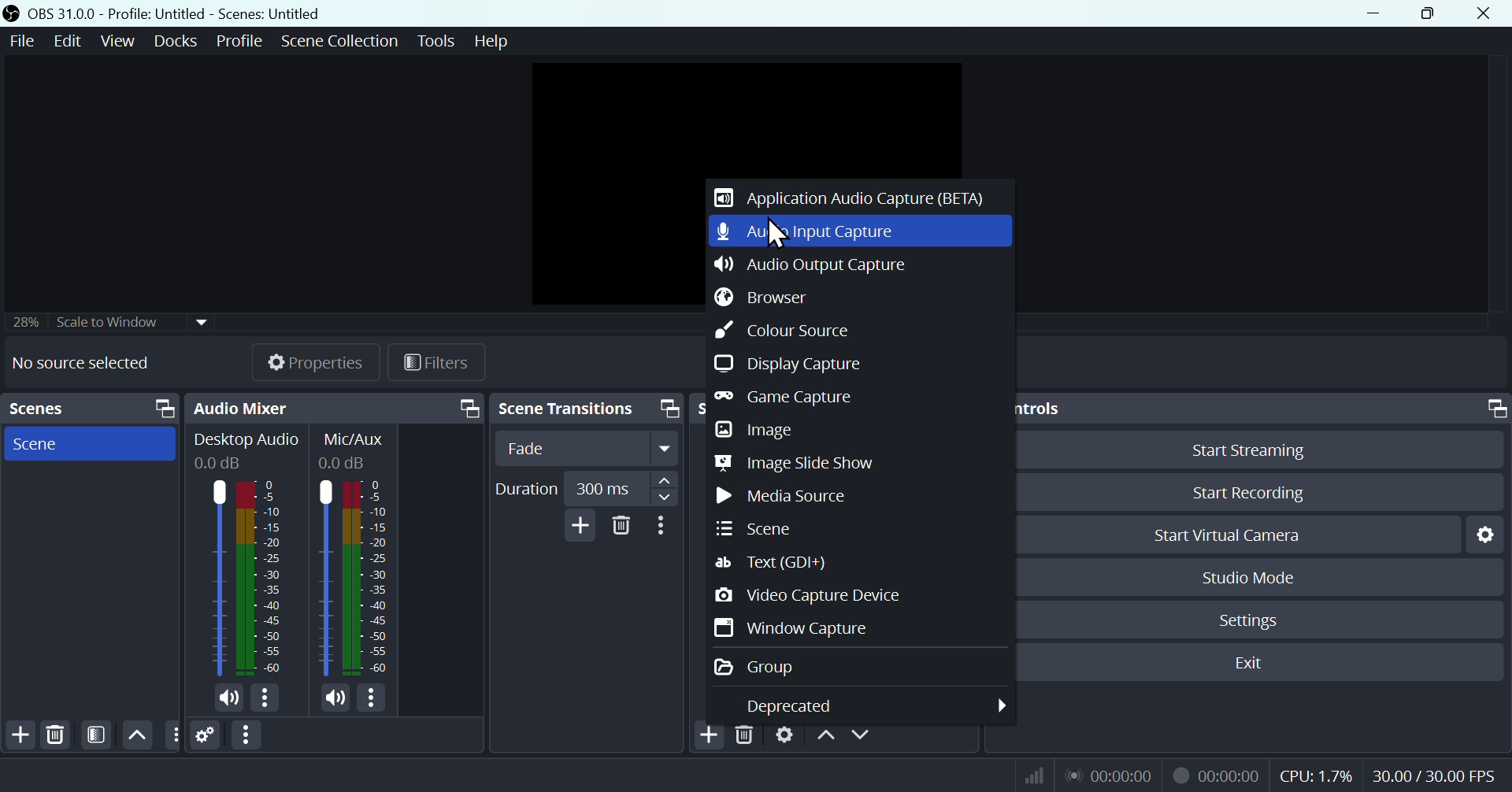 This screenshot has width=1512, height=792. I want to click on Image slide show, so click(807, 463).